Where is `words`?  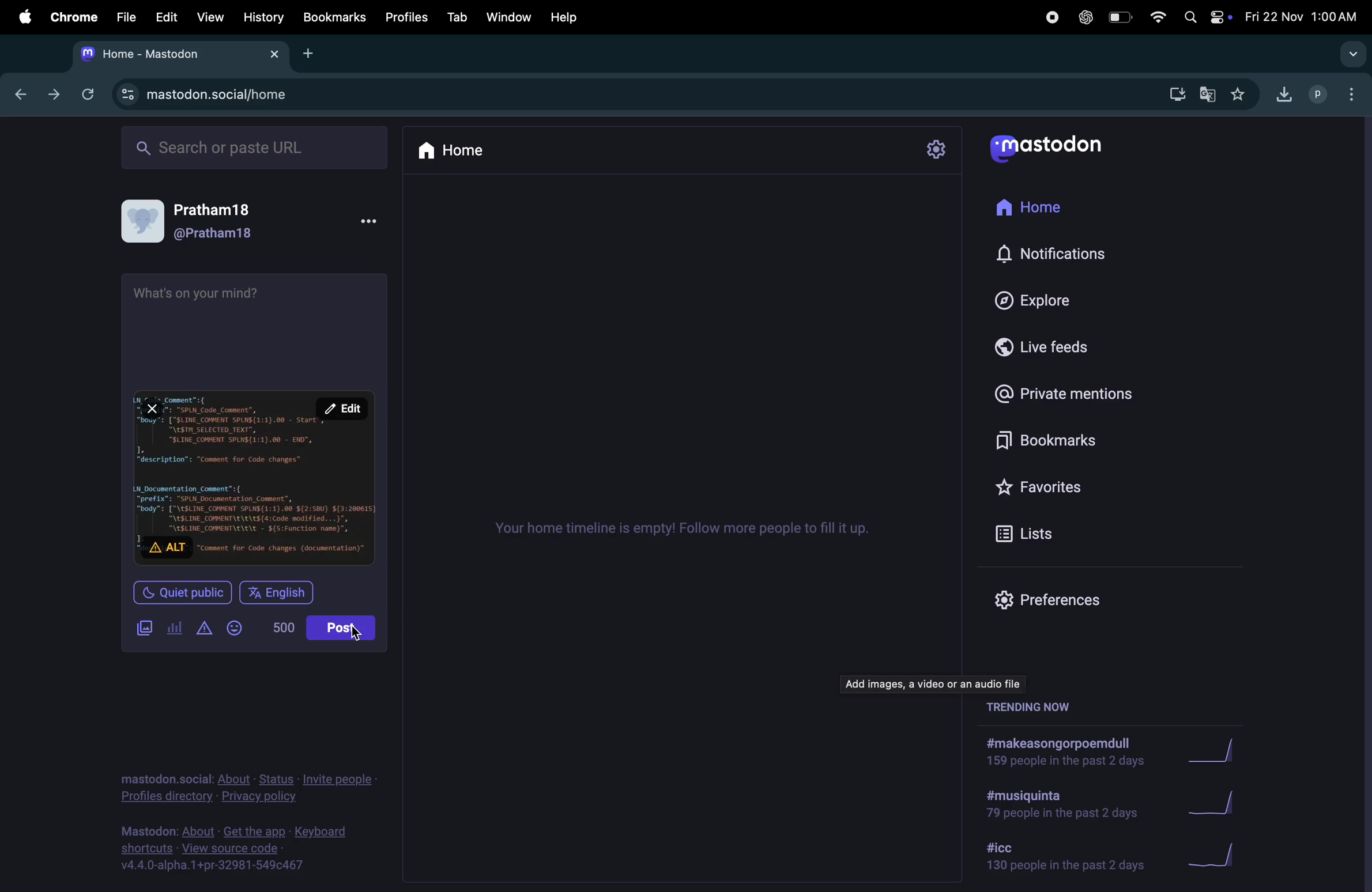 words is located at coordinates (281, 629).